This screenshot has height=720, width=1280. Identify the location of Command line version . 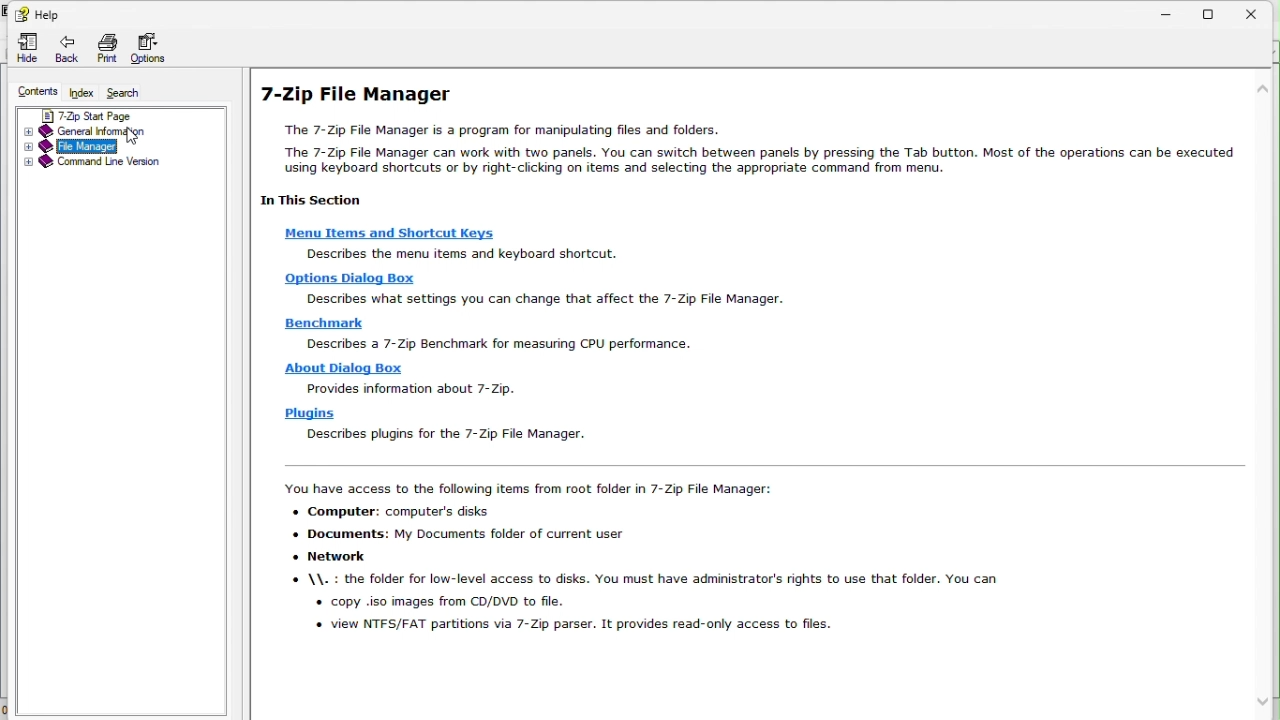
(91, 166).